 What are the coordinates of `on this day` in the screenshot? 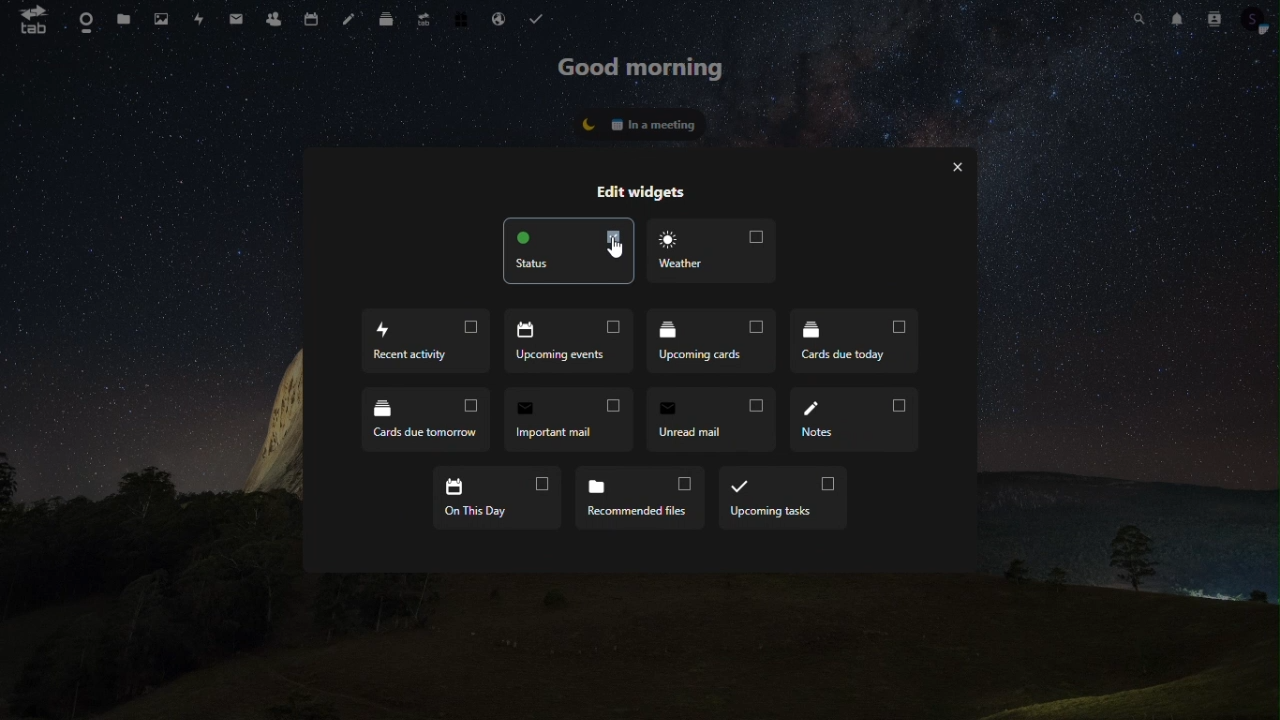 It's located at (500, 498).